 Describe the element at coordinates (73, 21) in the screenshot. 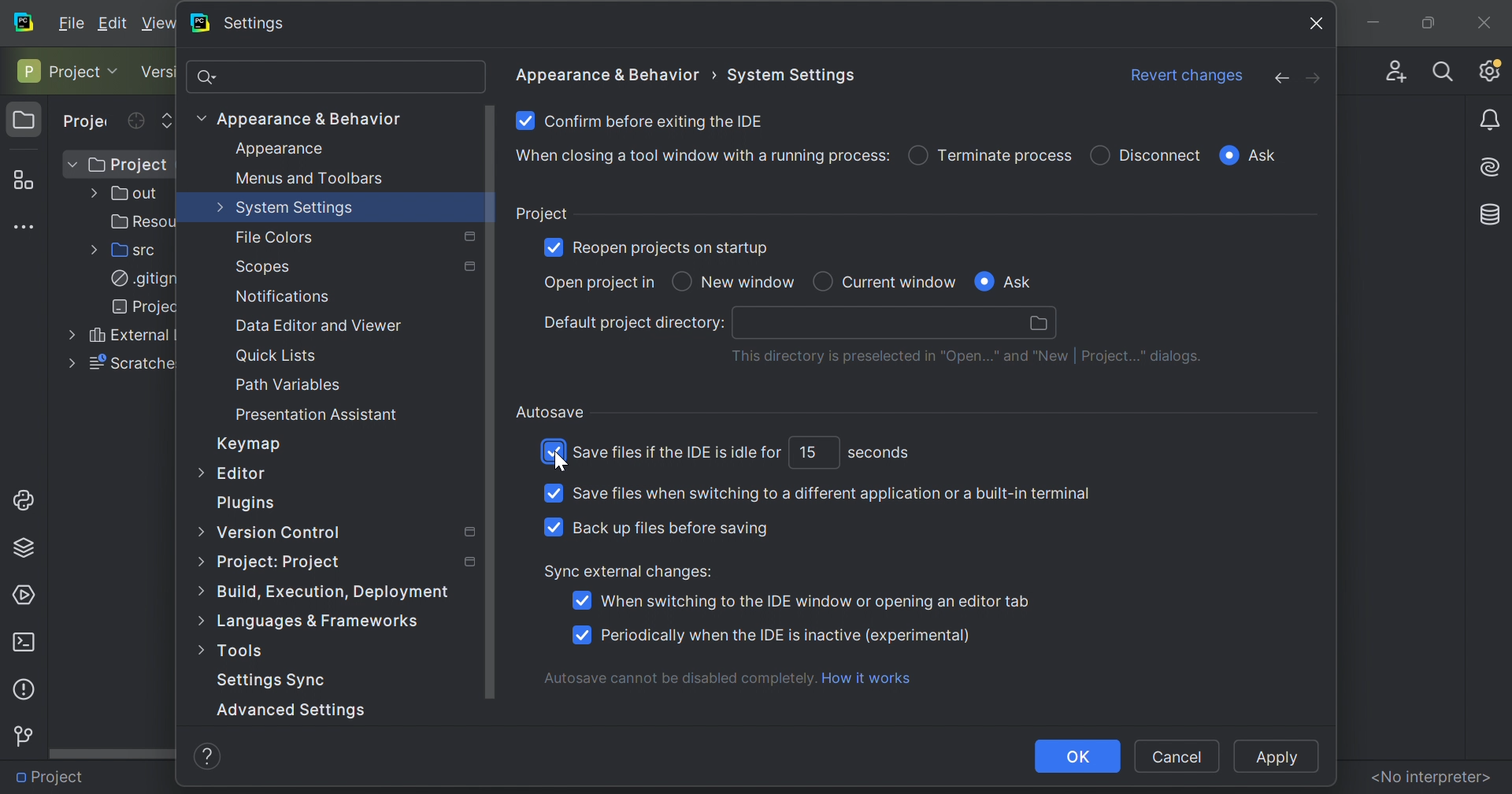

I see `Fiele` at that location.